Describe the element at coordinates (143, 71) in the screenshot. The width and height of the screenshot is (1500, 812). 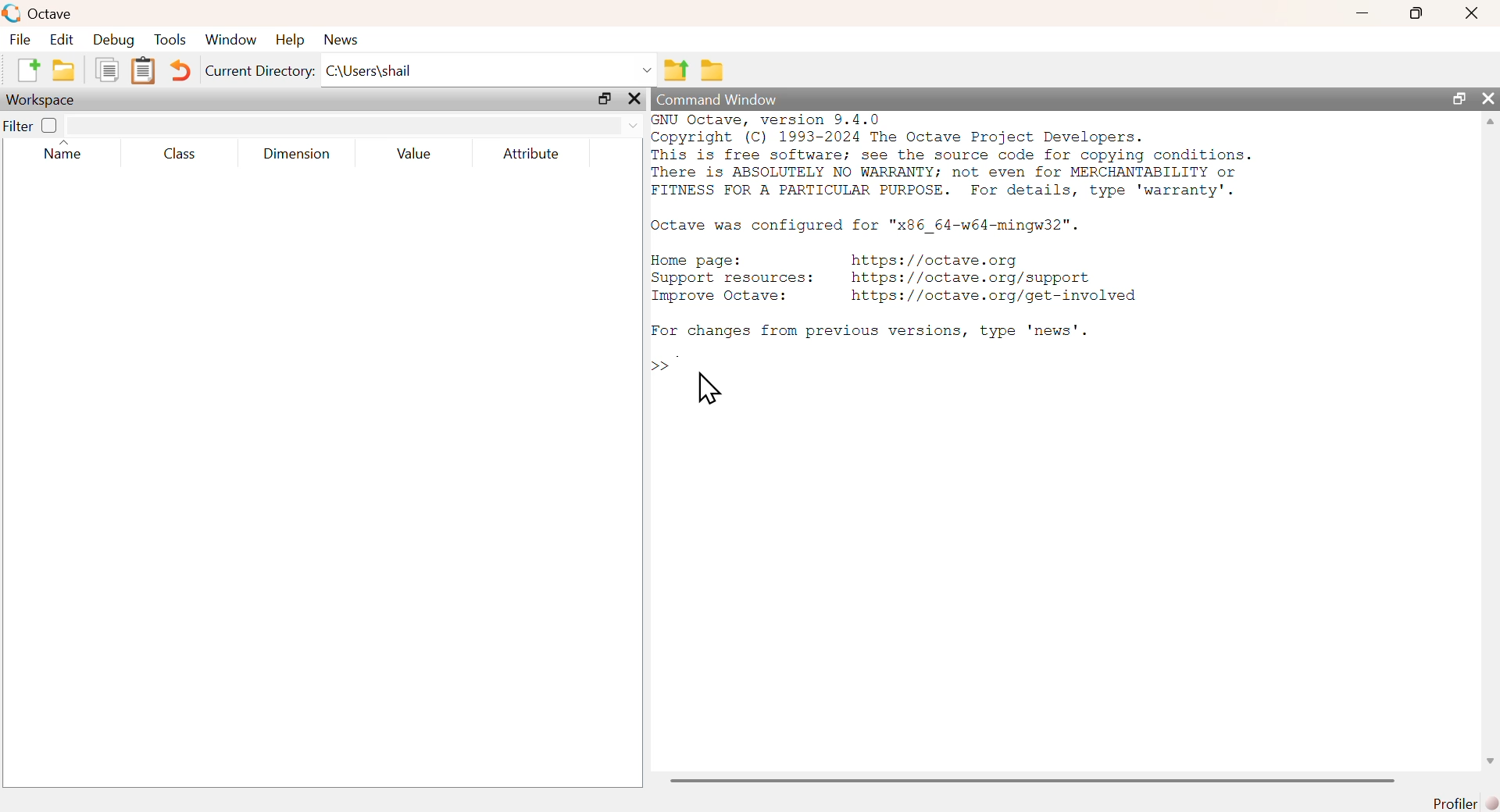
I see `paste` at that location.